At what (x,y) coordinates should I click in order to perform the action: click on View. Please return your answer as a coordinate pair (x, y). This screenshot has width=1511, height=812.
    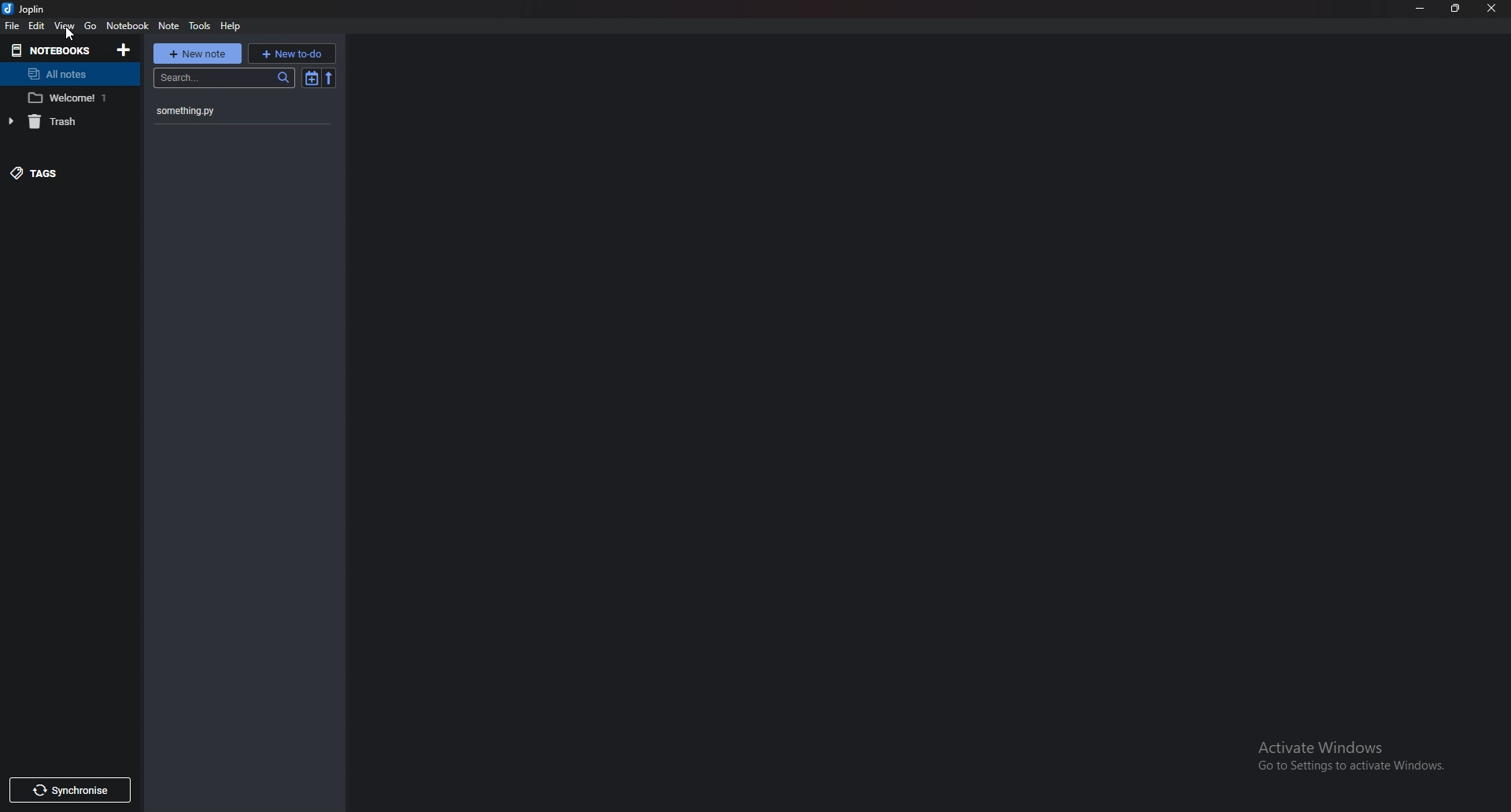
    Looking at the image, I should click on (65, 26).